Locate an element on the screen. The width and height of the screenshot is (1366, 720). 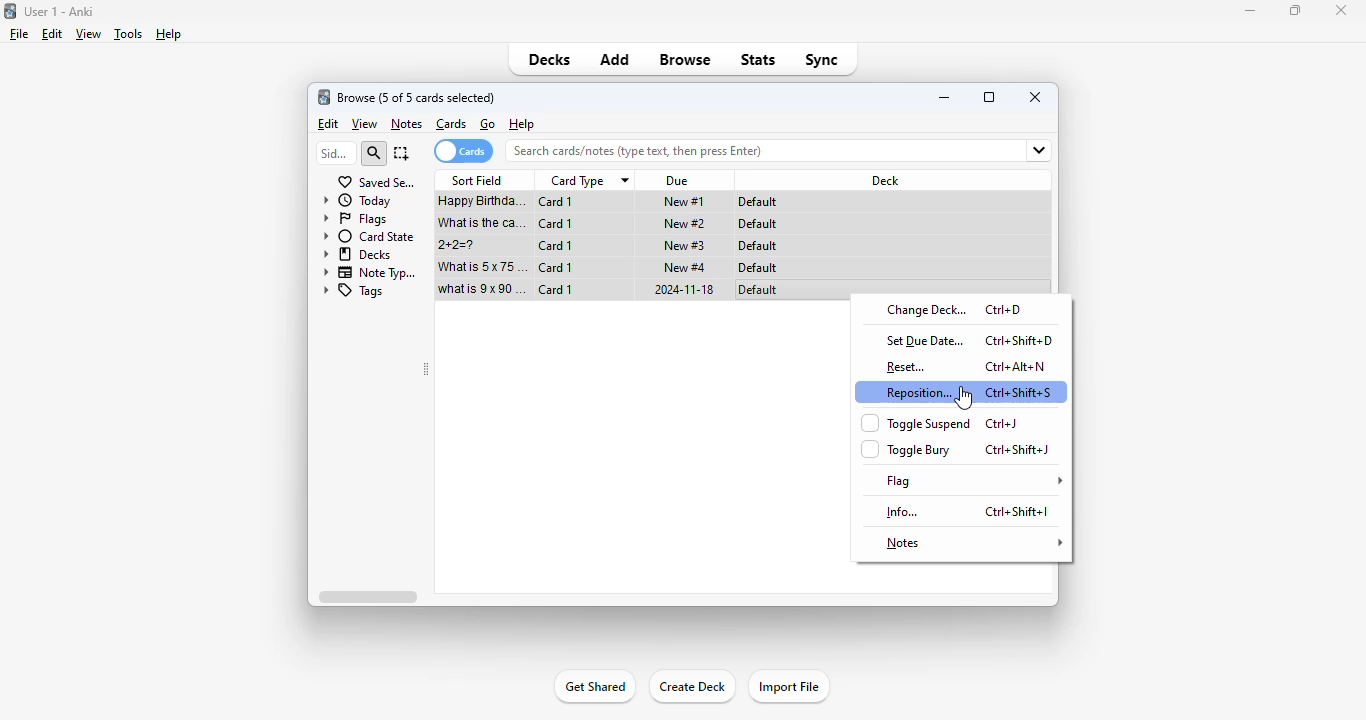
toggle sidebar is located at coordinates (426, 369).